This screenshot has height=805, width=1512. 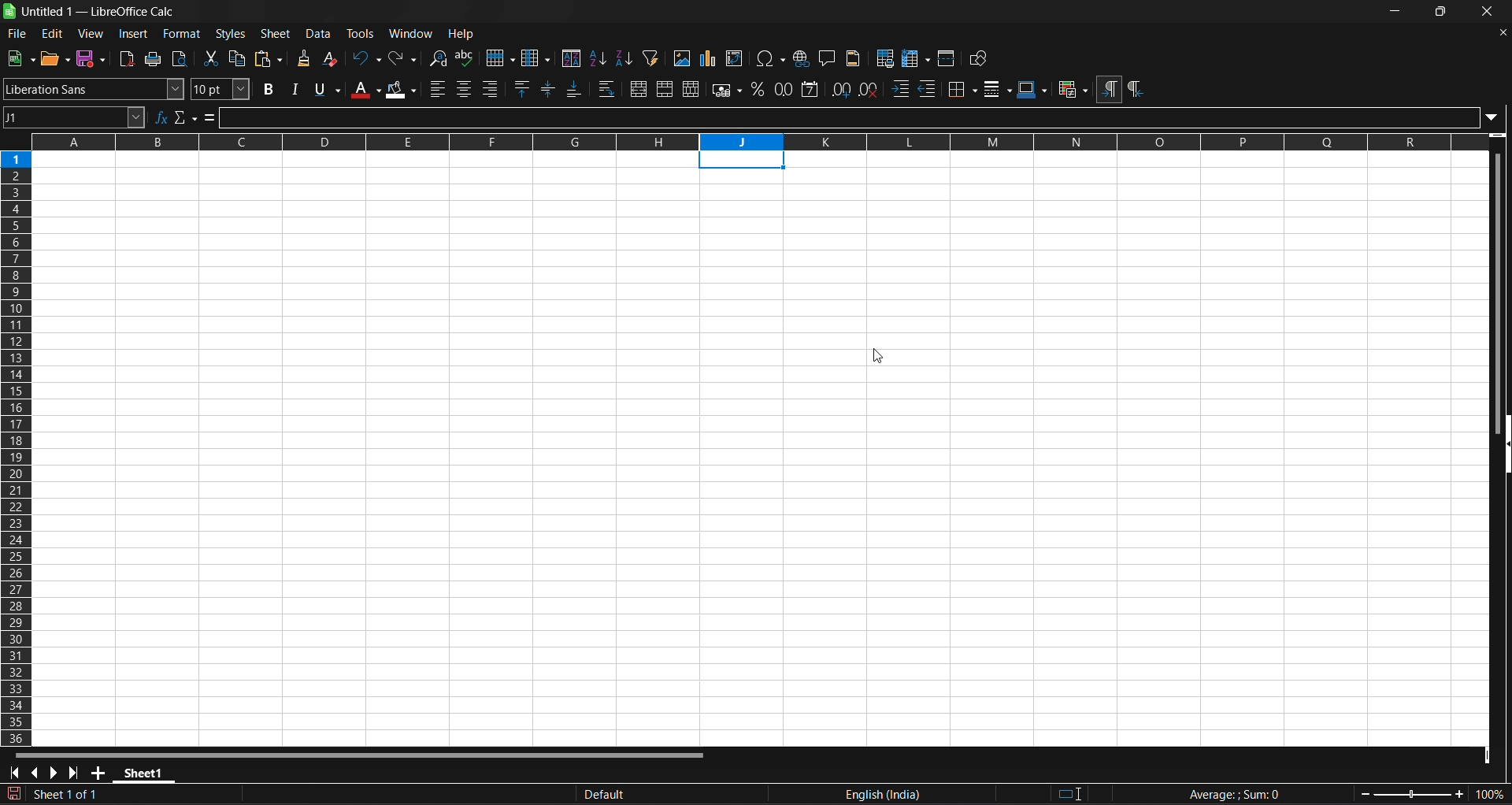 What do you see at coordinates (550, 89) in the screenshot?
I see `center vertically` at bounding box center [550, 89].